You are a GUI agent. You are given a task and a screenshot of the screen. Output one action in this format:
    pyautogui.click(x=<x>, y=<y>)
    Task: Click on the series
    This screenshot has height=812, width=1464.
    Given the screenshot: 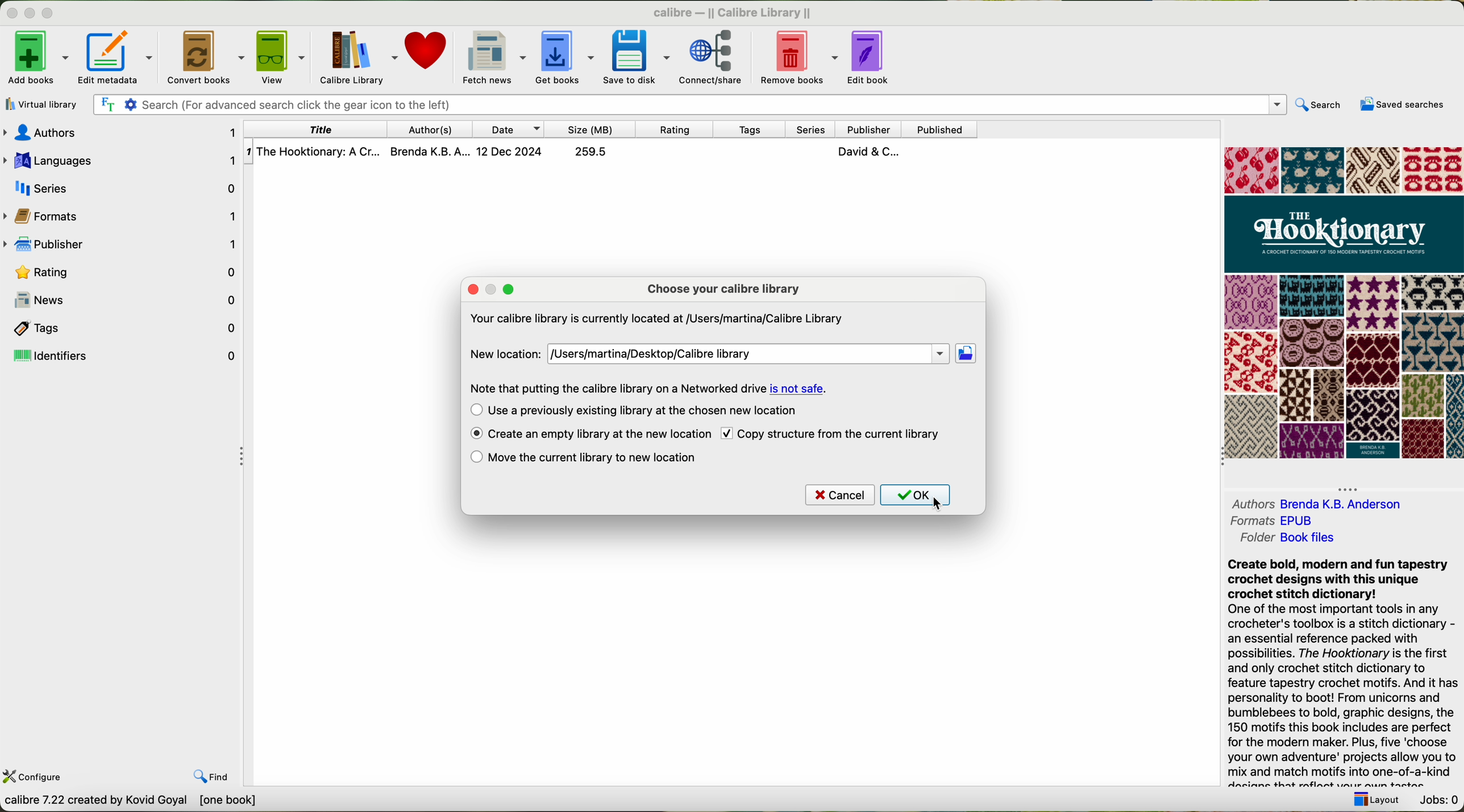 What is the action you would take?
    pyautogui.click(x=813, y=128)
    